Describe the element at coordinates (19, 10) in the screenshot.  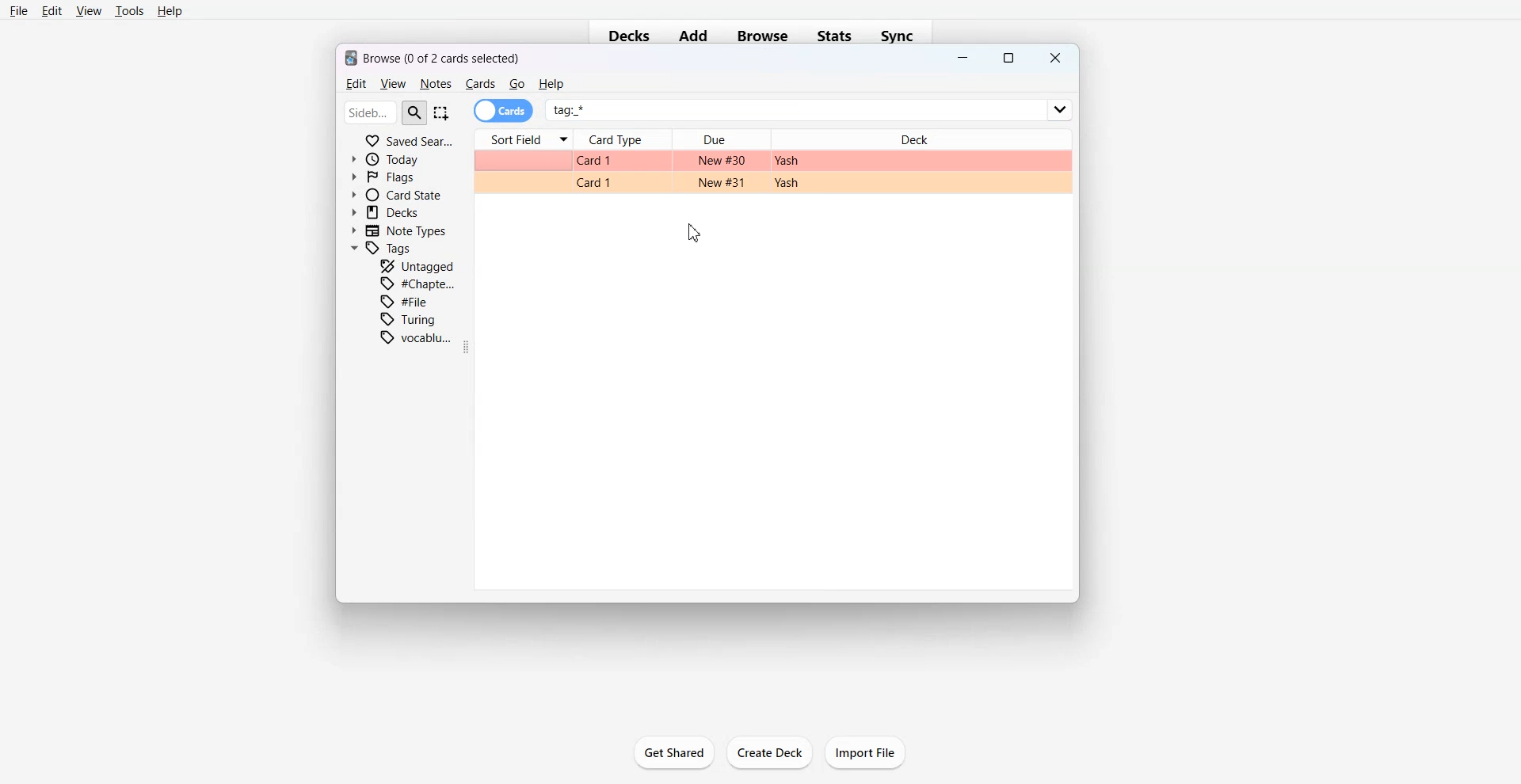
I see `File` at that location.